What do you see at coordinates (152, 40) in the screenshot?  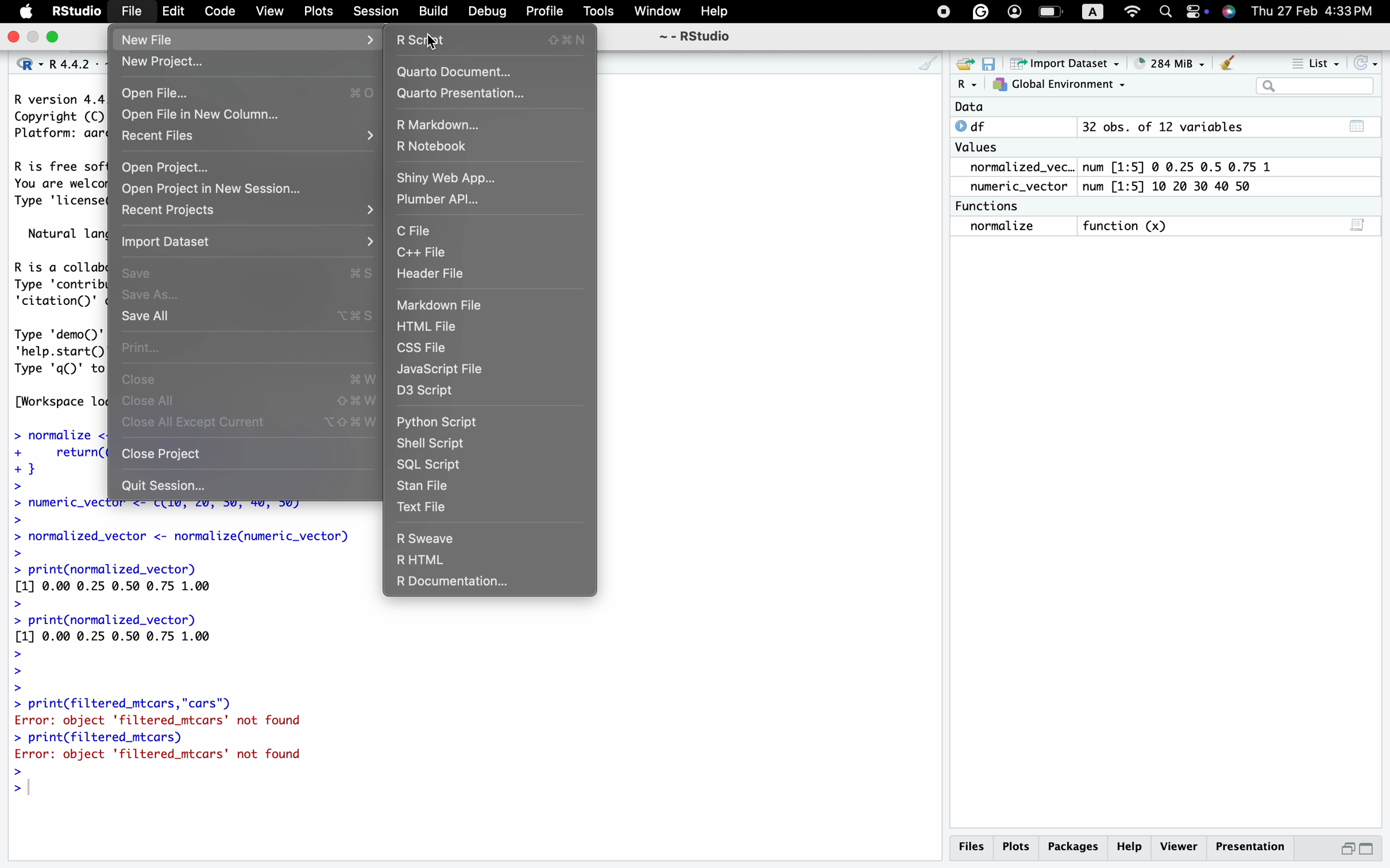 I see `New File` at bounding box center [152, 40].